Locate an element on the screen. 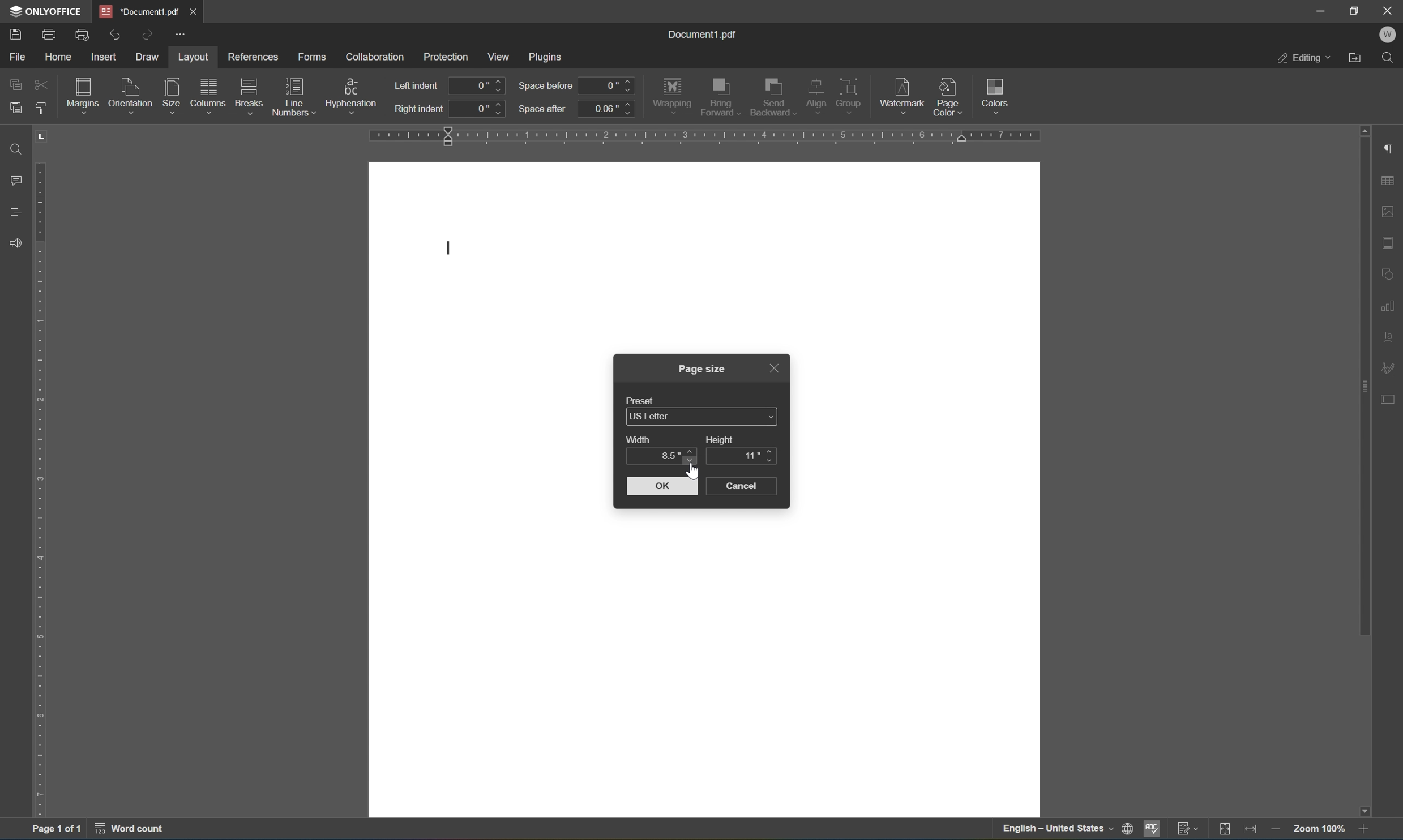 The image size is (1403, 840). OK is located at coordinates (662, 487).